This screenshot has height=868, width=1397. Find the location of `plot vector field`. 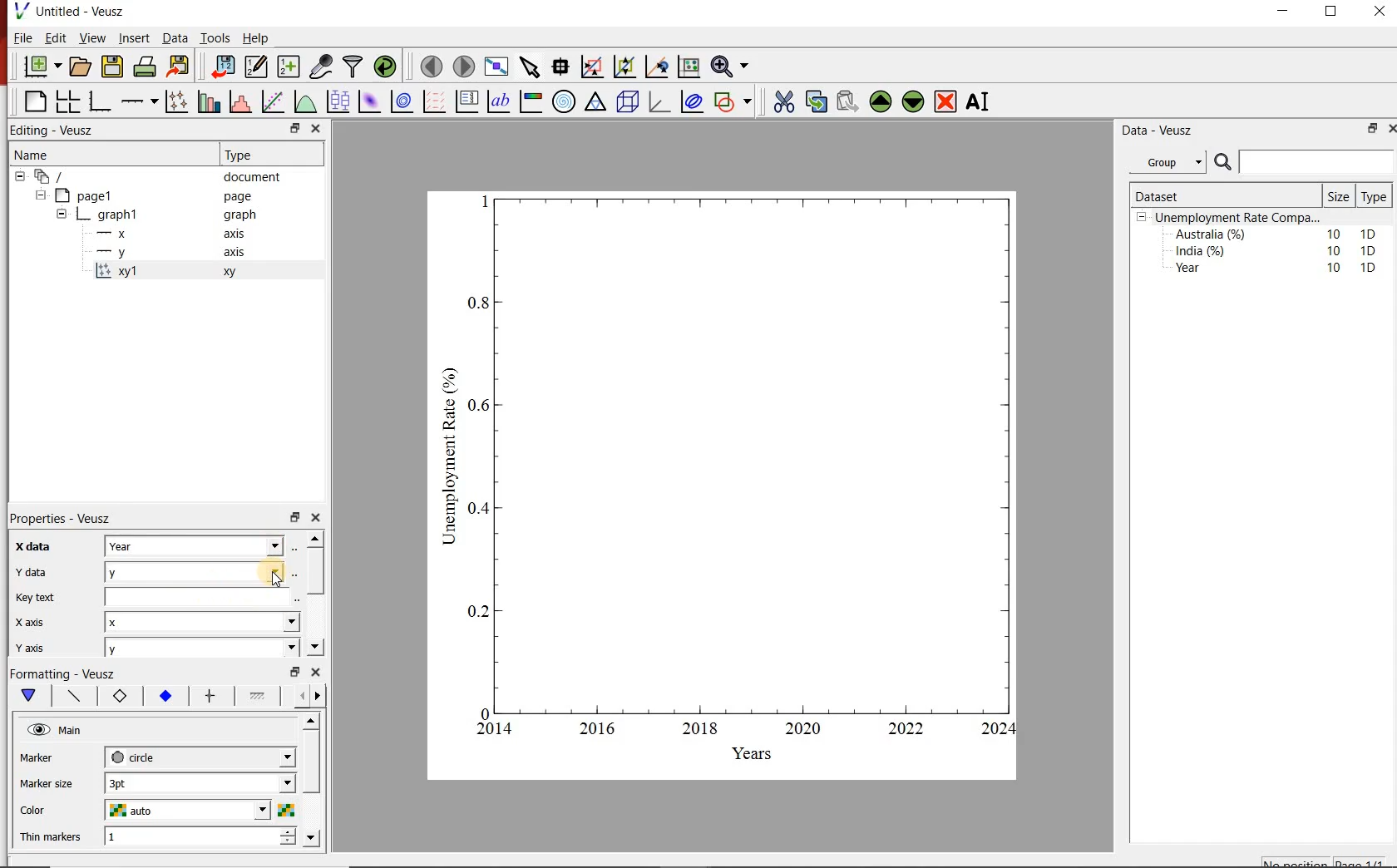

plot vector field is located at coordinates (433, 101).